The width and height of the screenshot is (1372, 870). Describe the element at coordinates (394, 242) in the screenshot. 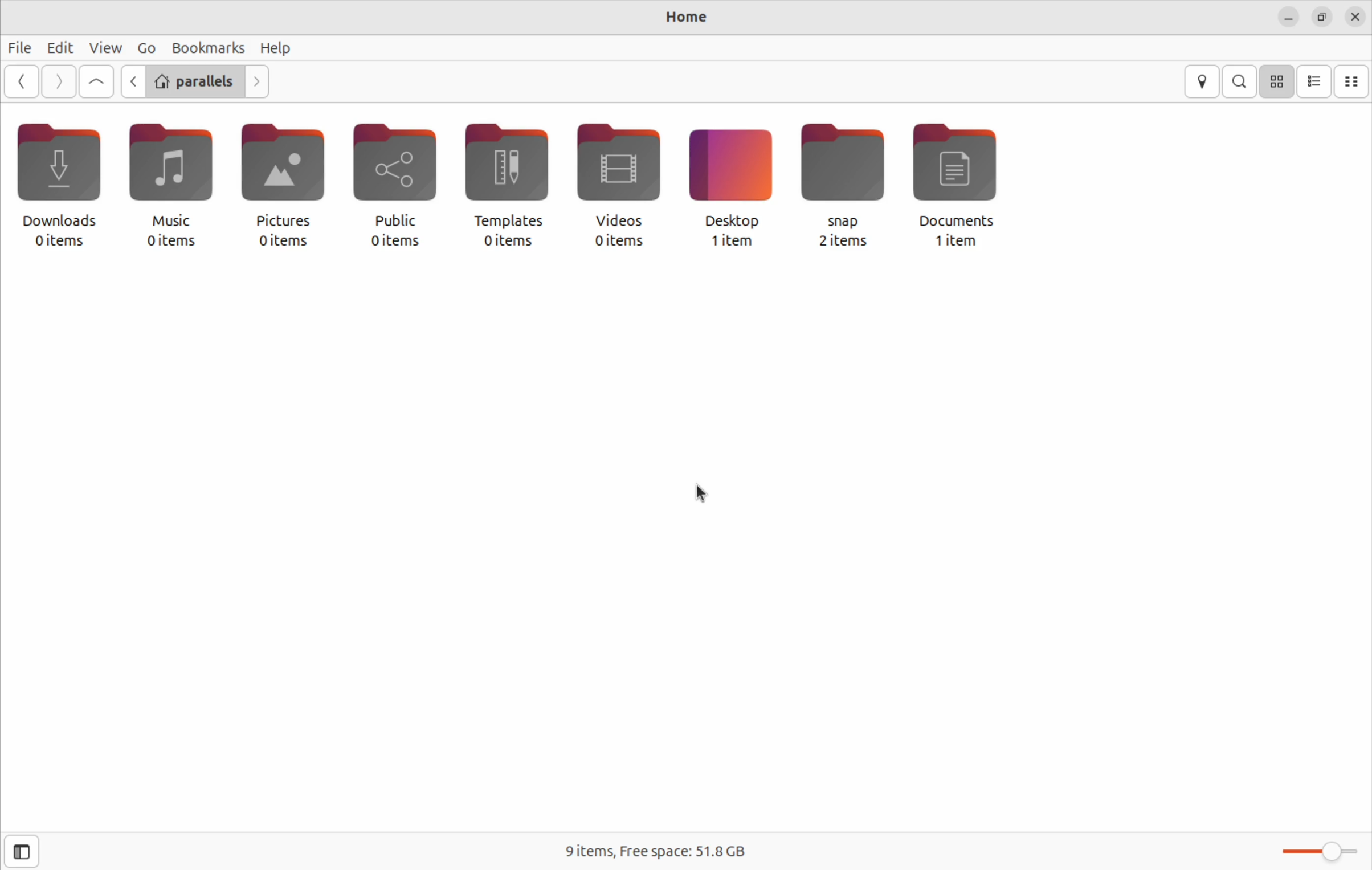

I see `0 items` at that location.